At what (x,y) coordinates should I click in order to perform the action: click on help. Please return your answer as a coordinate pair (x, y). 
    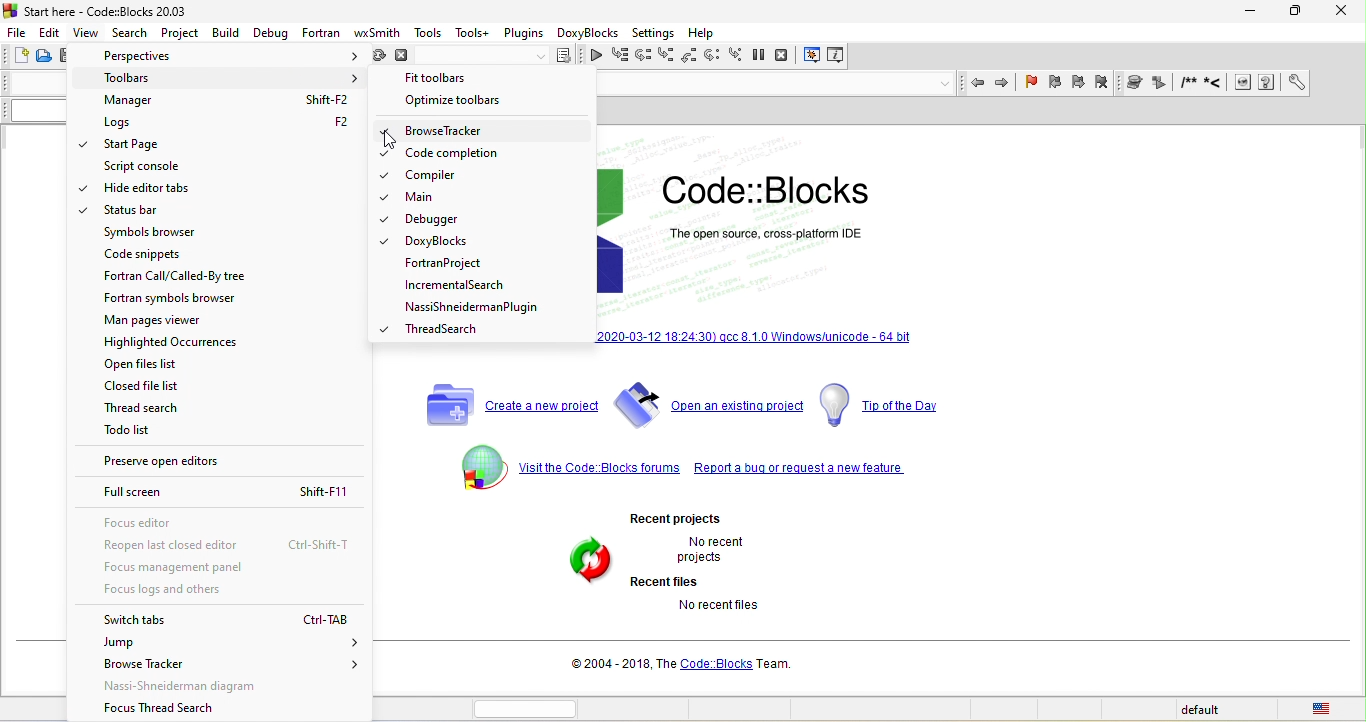
    Looking at the image, I should click on (707, 31).